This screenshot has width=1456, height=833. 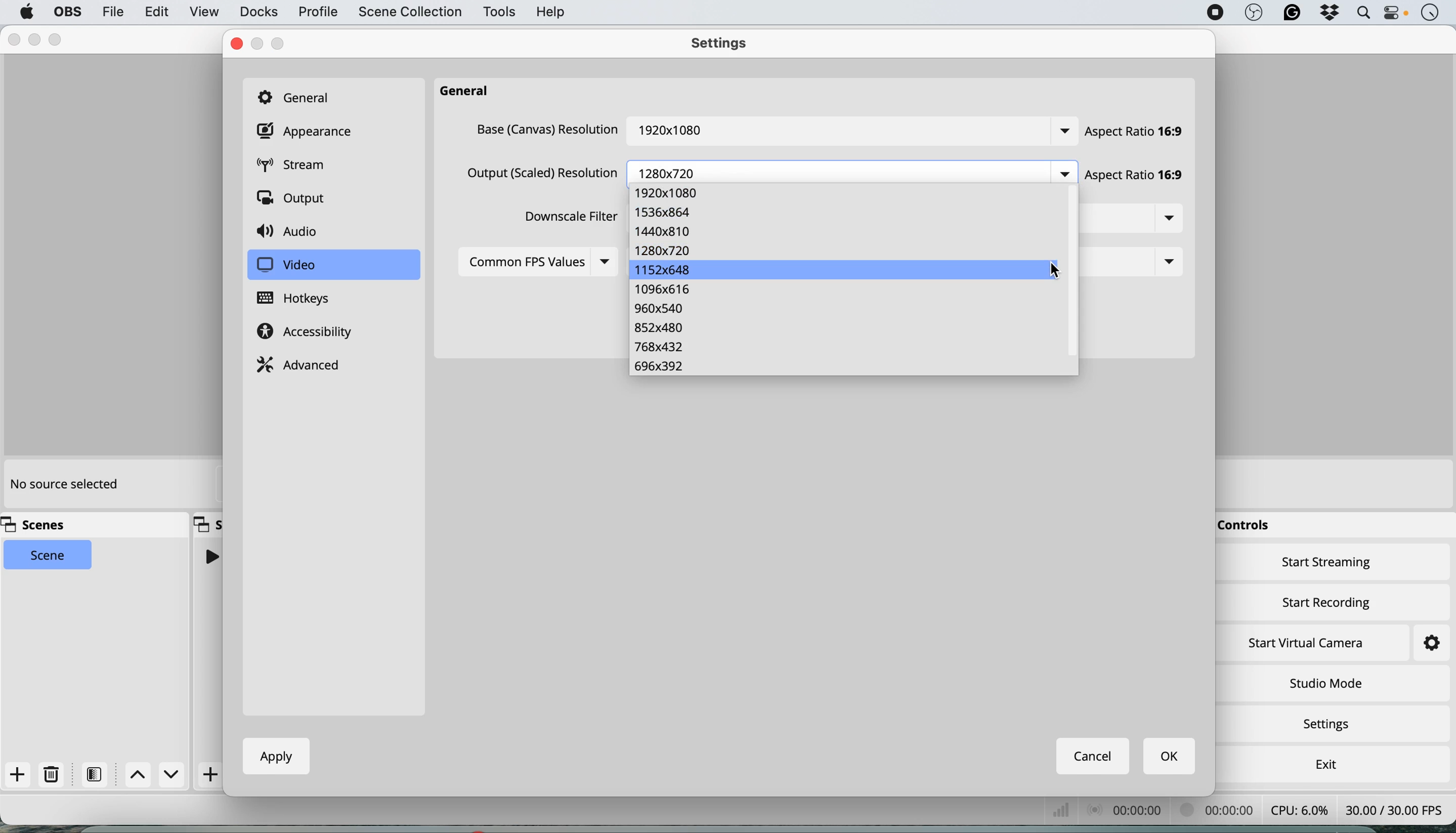 What do you see at coordinates (14, 40) in the screenshot?
I see `close` at bounding box center [14, 40].